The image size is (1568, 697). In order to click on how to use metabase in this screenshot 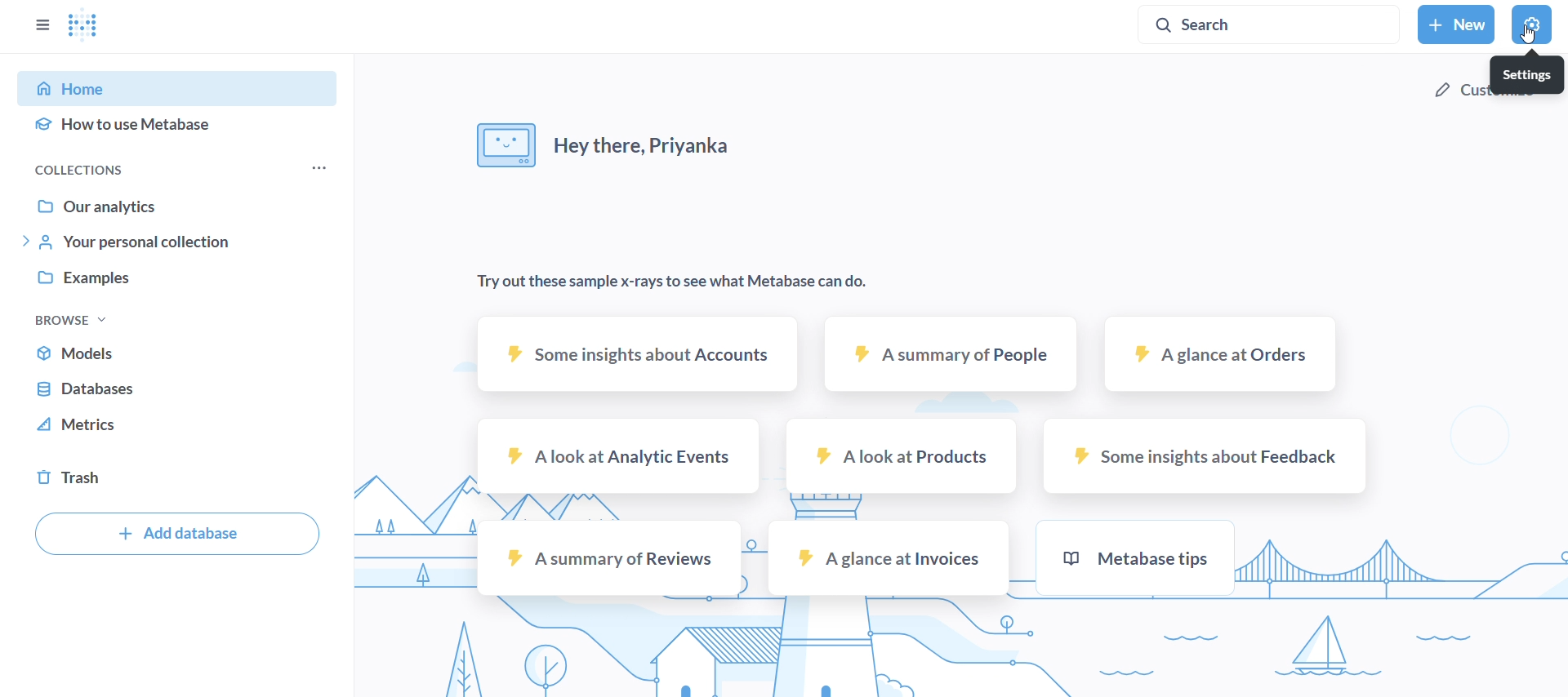, I will do `click(182, 127)`.